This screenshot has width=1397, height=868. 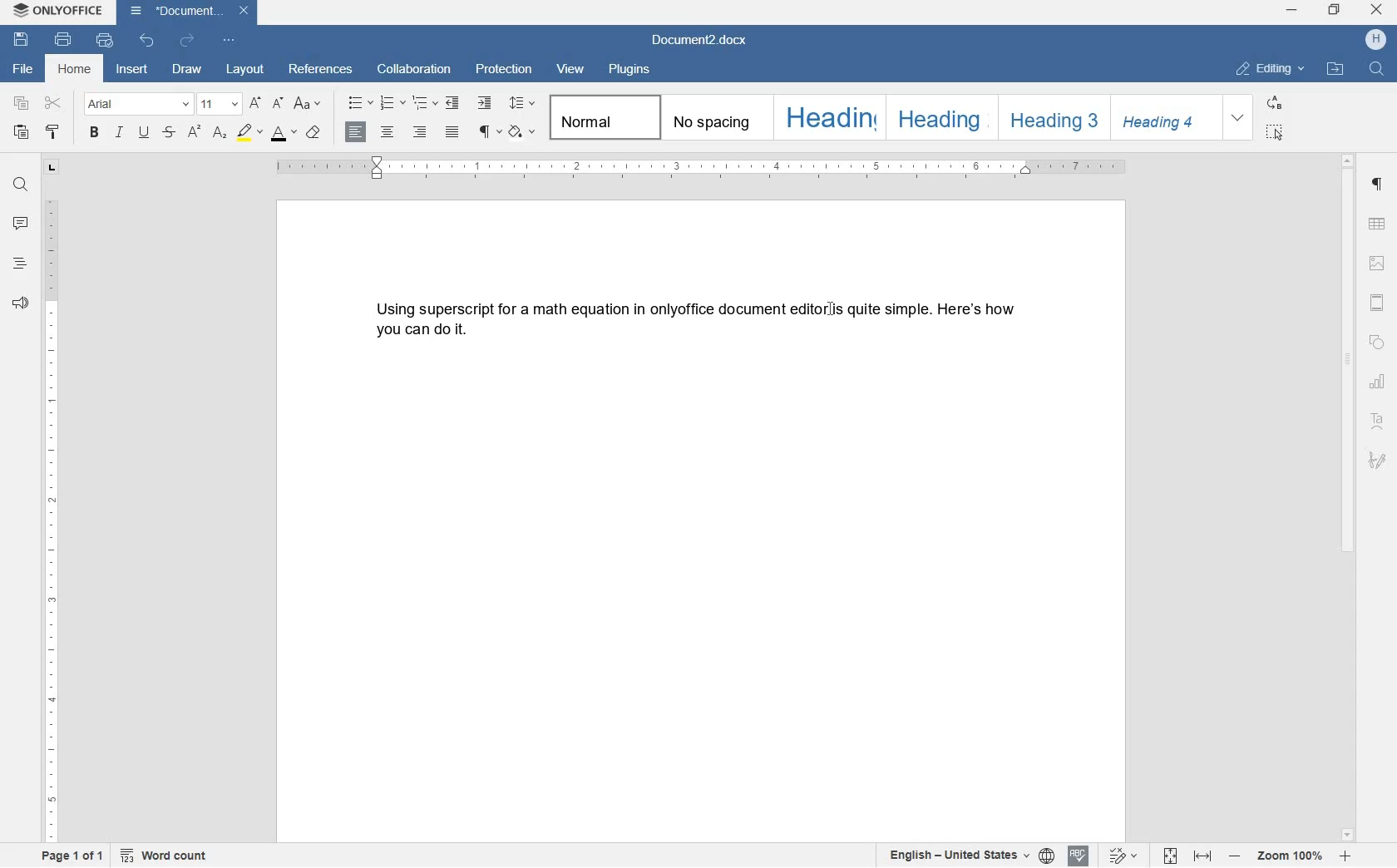 What do you see at coordinates (1378, 224) in the screenshot?
I see `table` at bounding box center [1378, 224].